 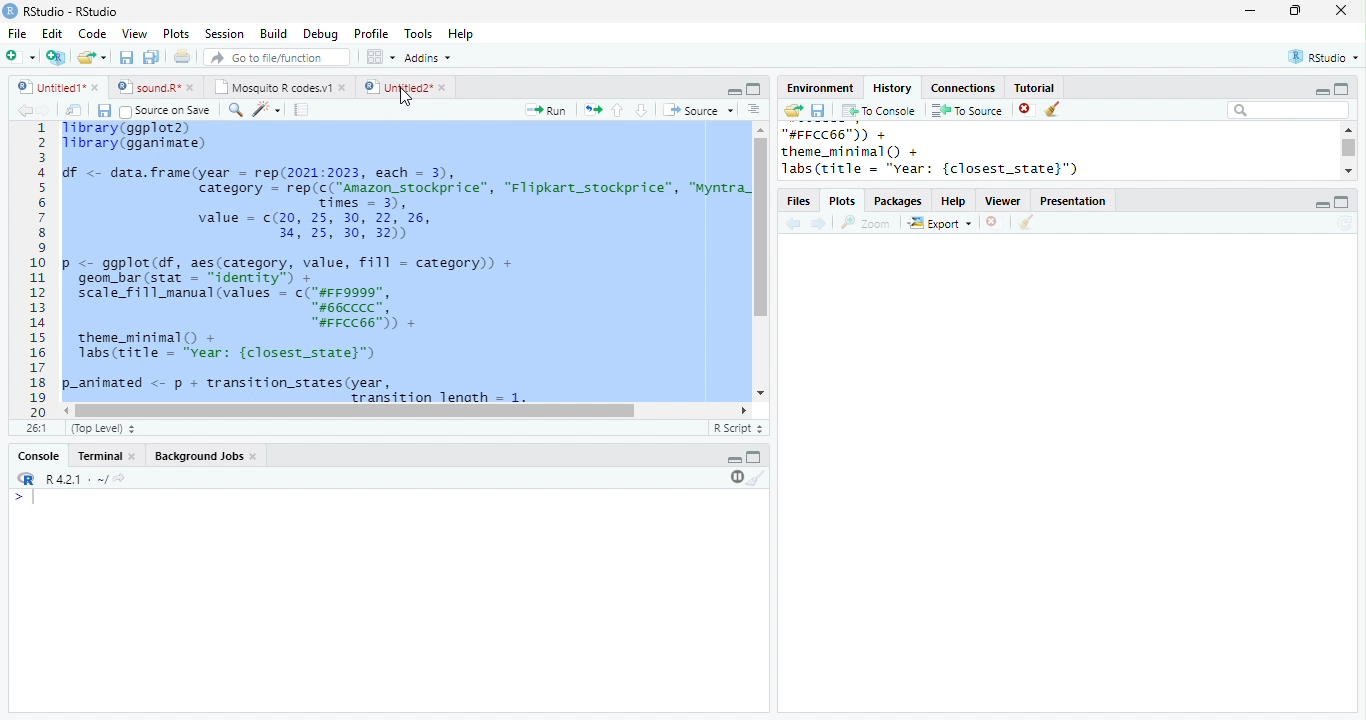 I want to click on maximize, so click(x=1342, y=202).